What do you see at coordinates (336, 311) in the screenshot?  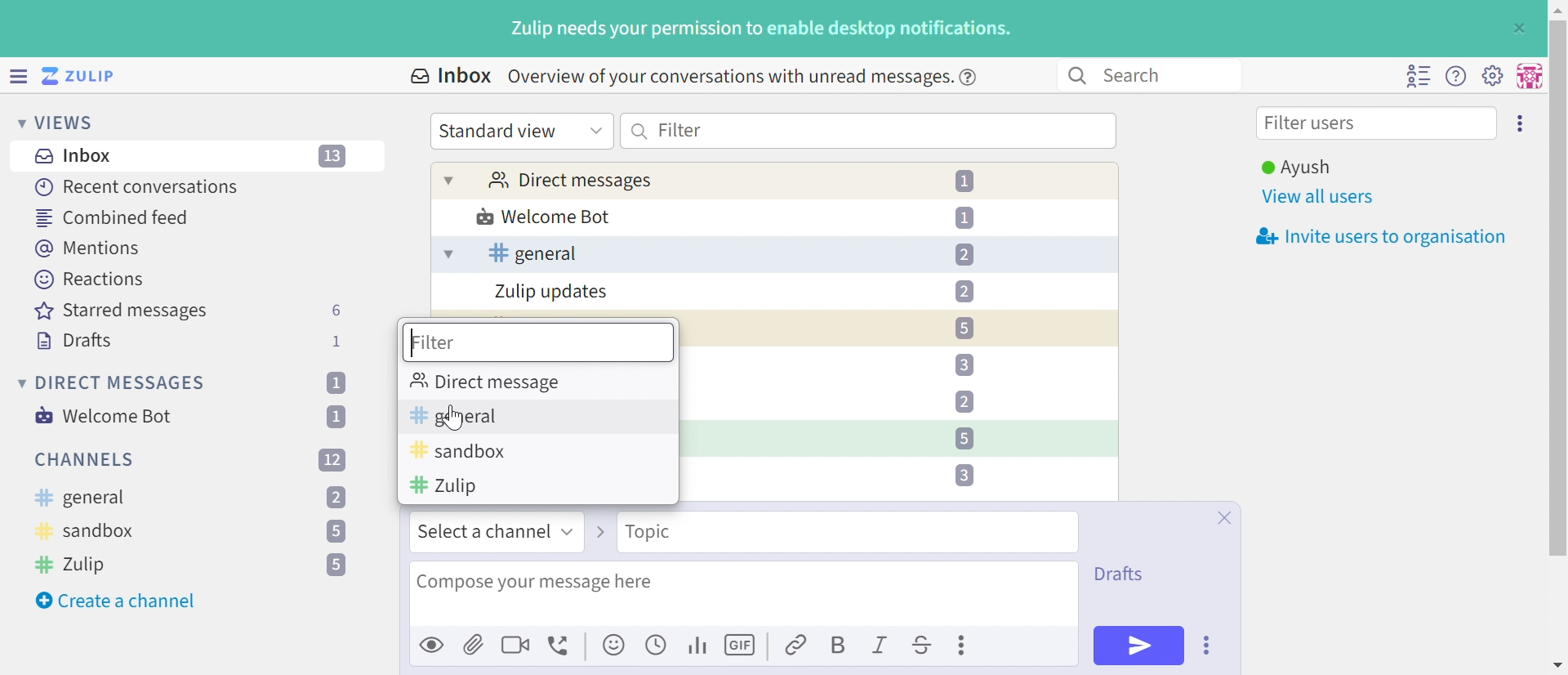 I see `6` at bounding box center [336, 311].